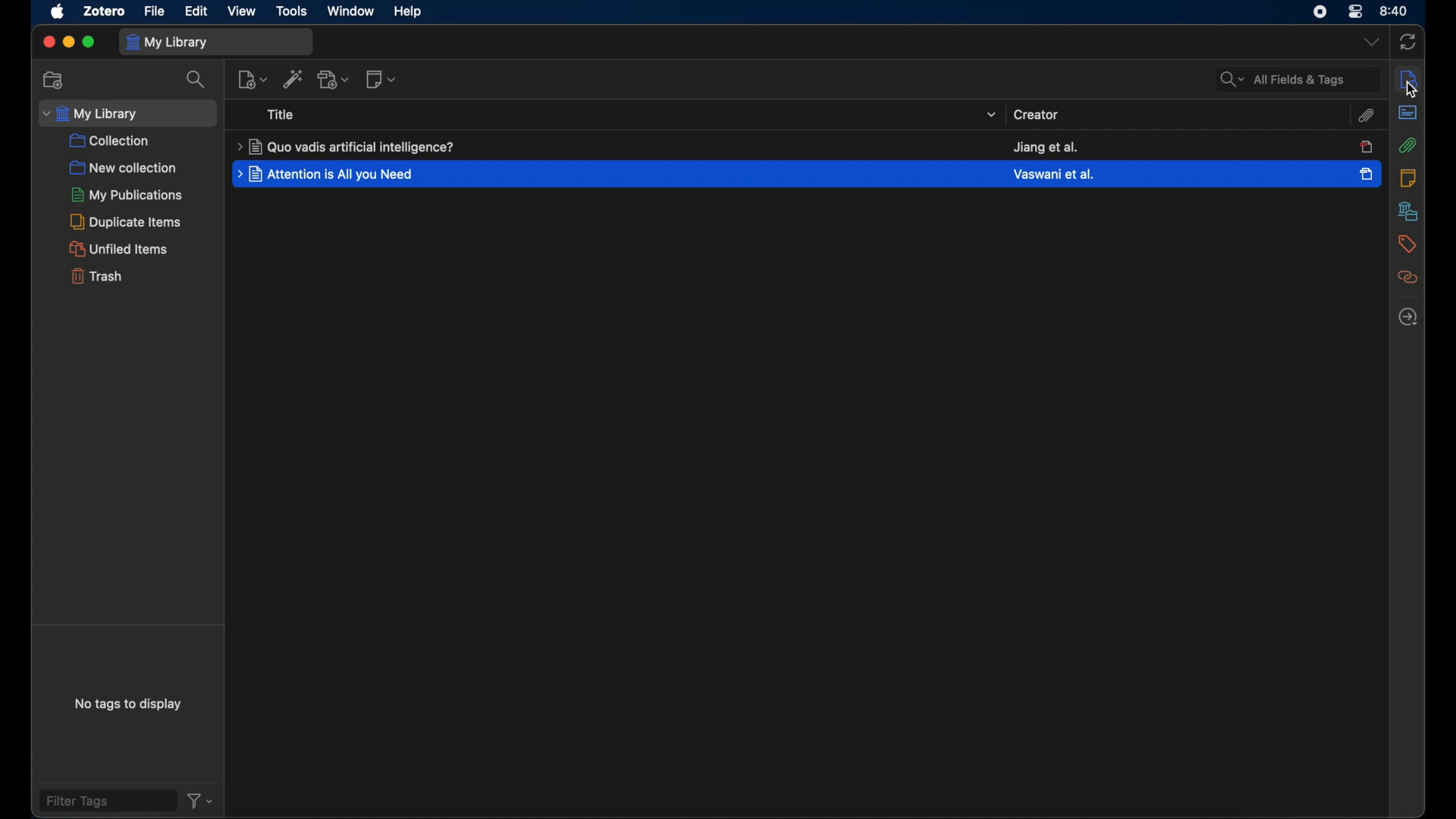 Image resolution: width=1456 pixels, height=819 pixels. I want to click on related, so click(1407, 278).